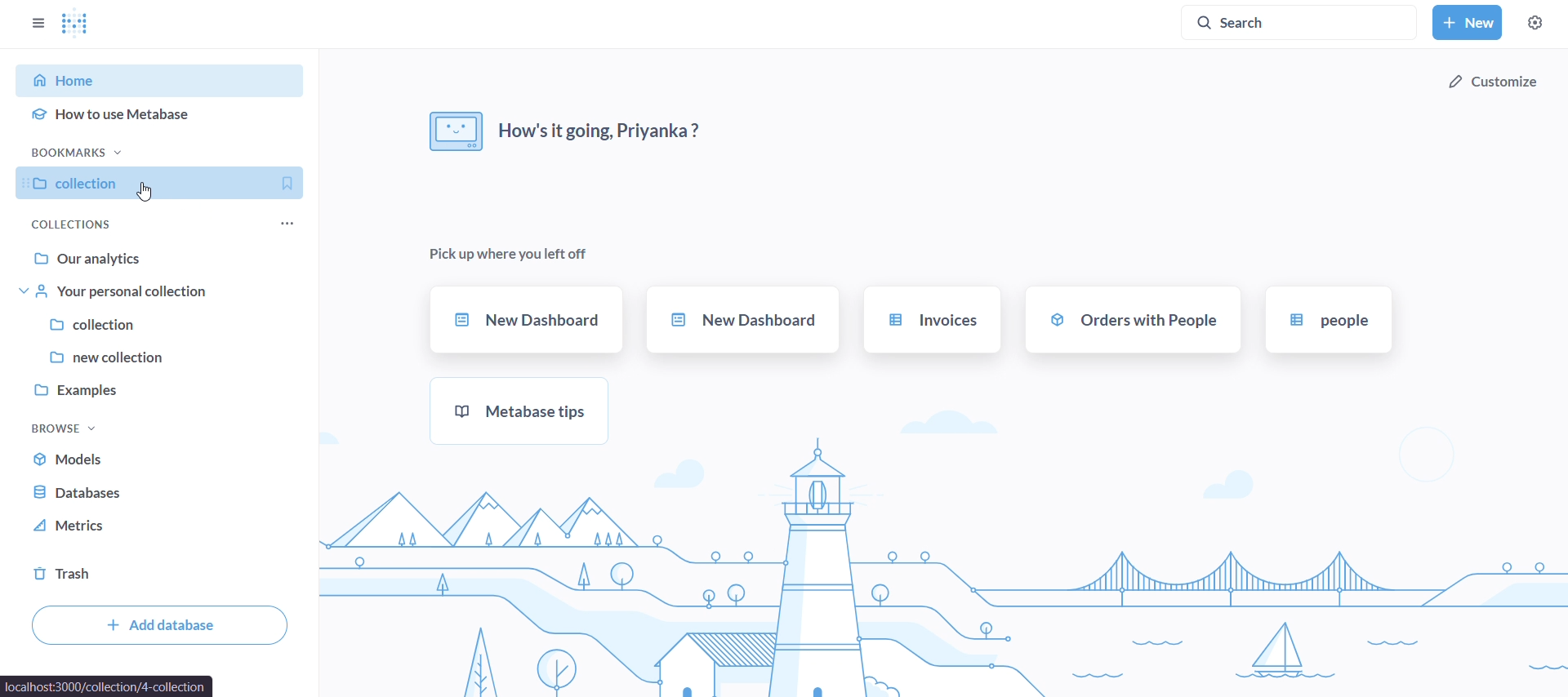 The width and height of the screenshot is (1568, 697). I want to click on how to use metabase, so click(162, 118).